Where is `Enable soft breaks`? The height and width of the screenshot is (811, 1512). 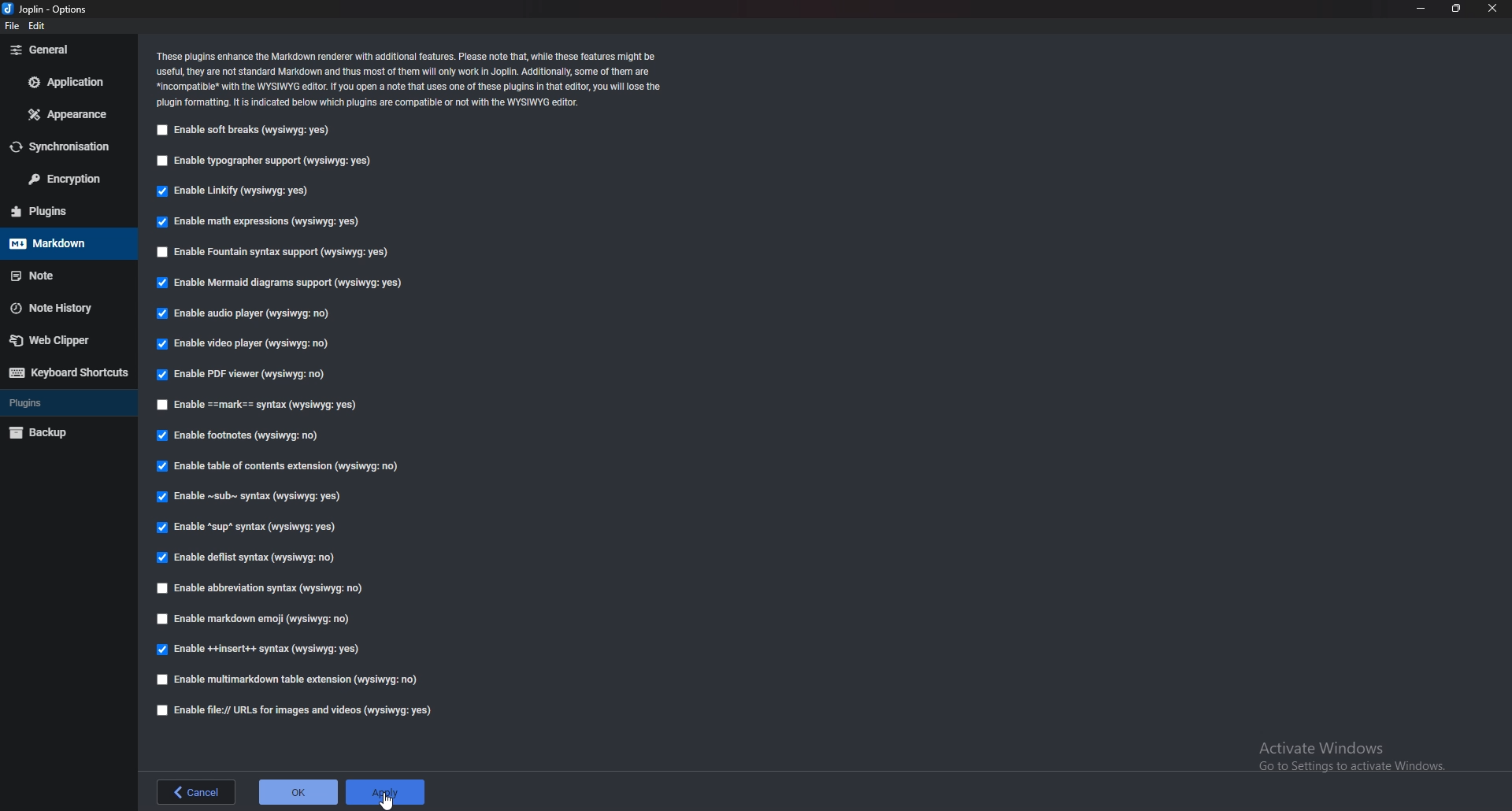
Enable soft breaks is located at coordinates (245, 131).